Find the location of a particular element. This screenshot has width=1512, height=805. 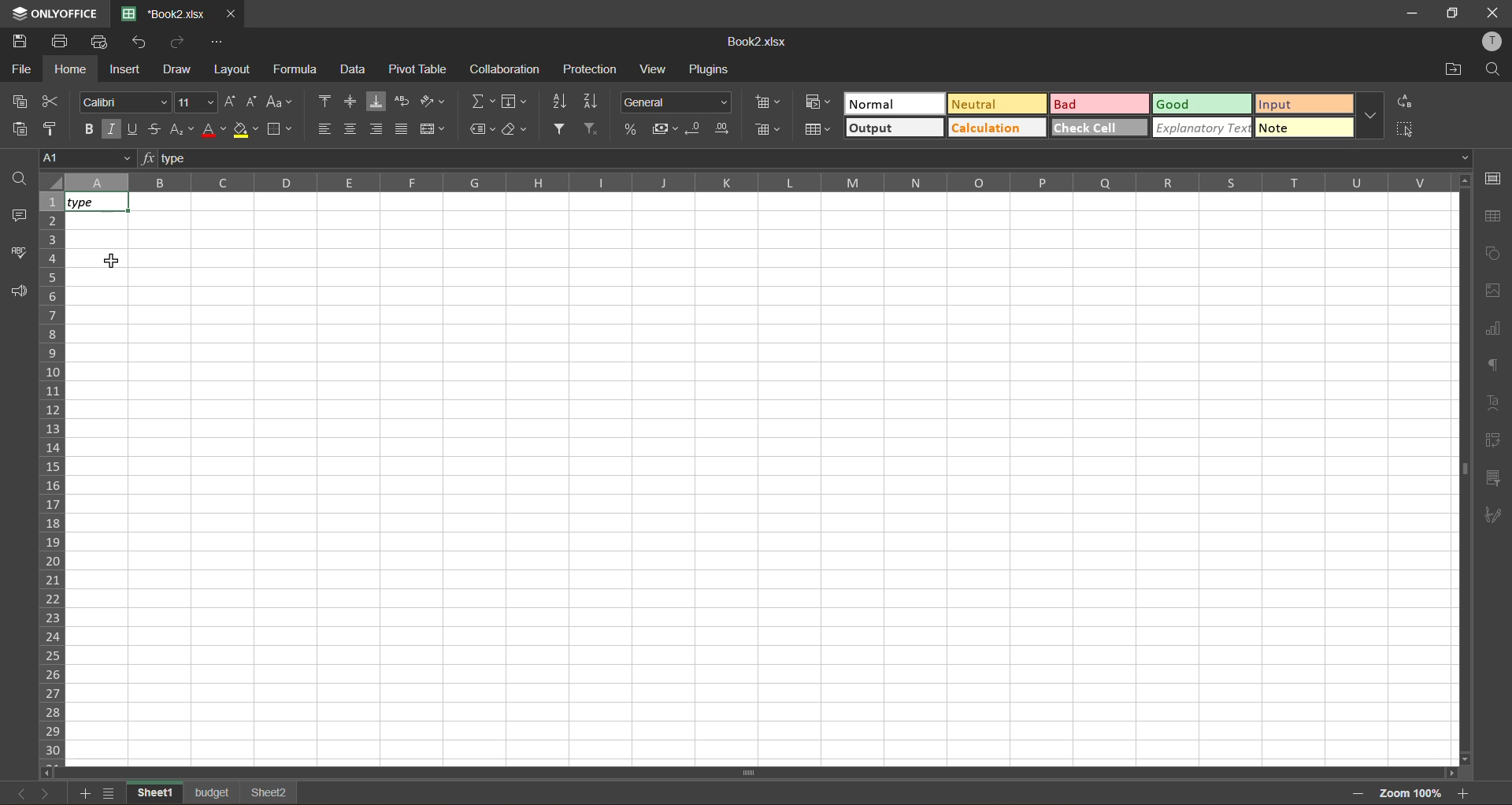

draw is located at coordinates (177, 68).